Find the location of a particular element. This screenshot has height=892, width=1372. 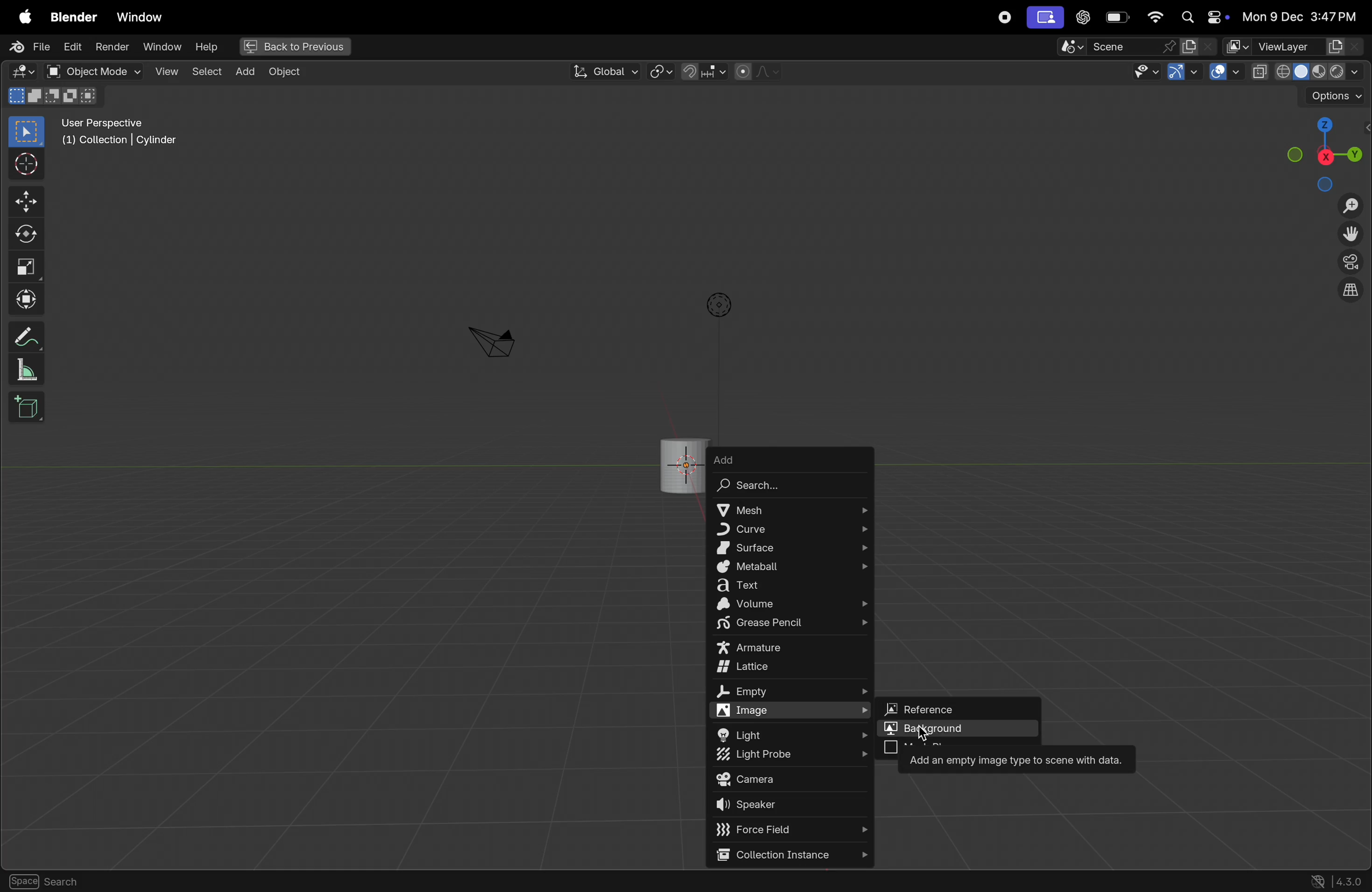

Windows is located at coordinates (140, 14).